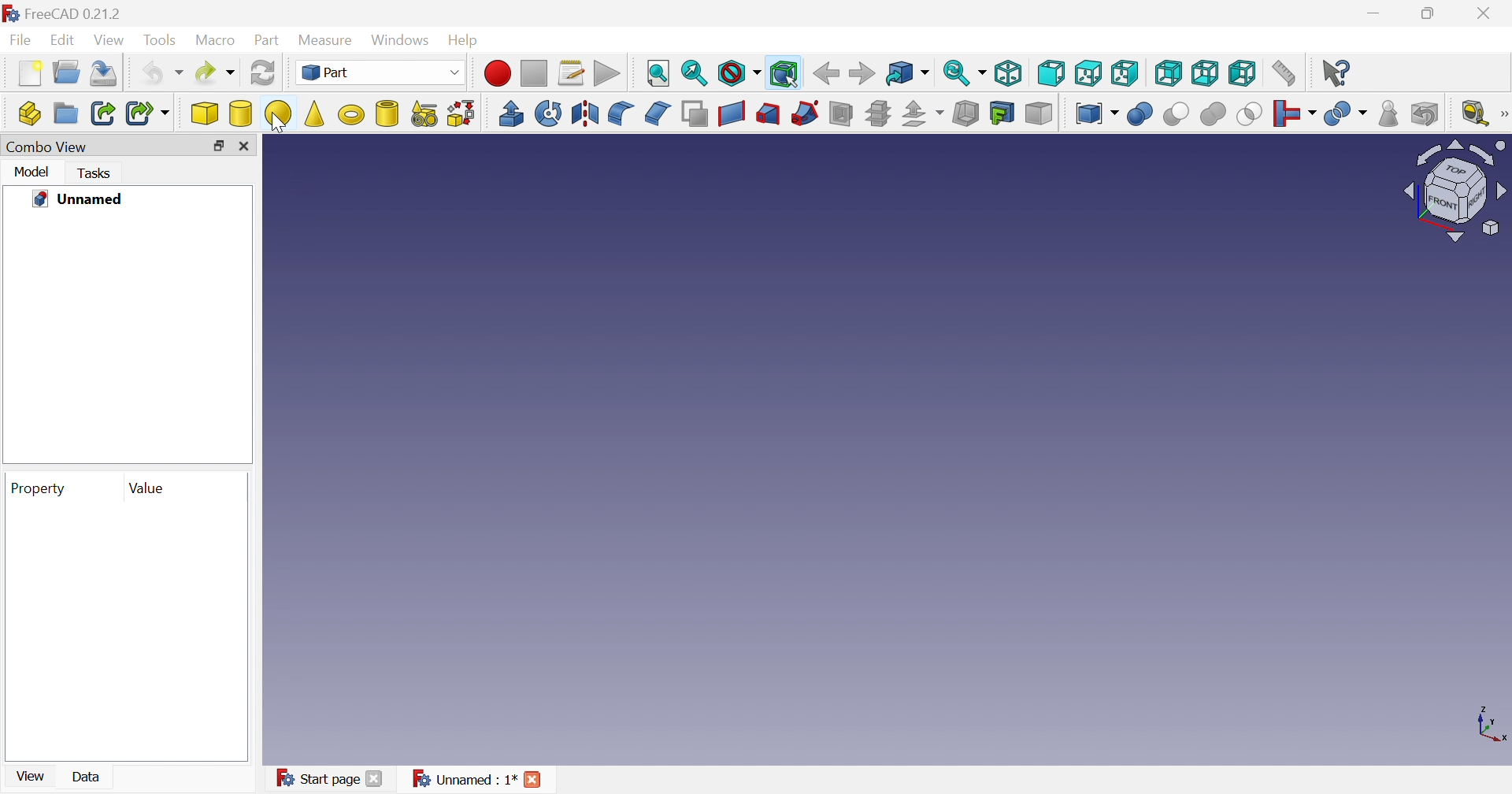 This screenshot has height=794, width=1512. What do you see at coordinates (248, 147) in the screenshot?
I see `Close` at bounding box center [248, 147].